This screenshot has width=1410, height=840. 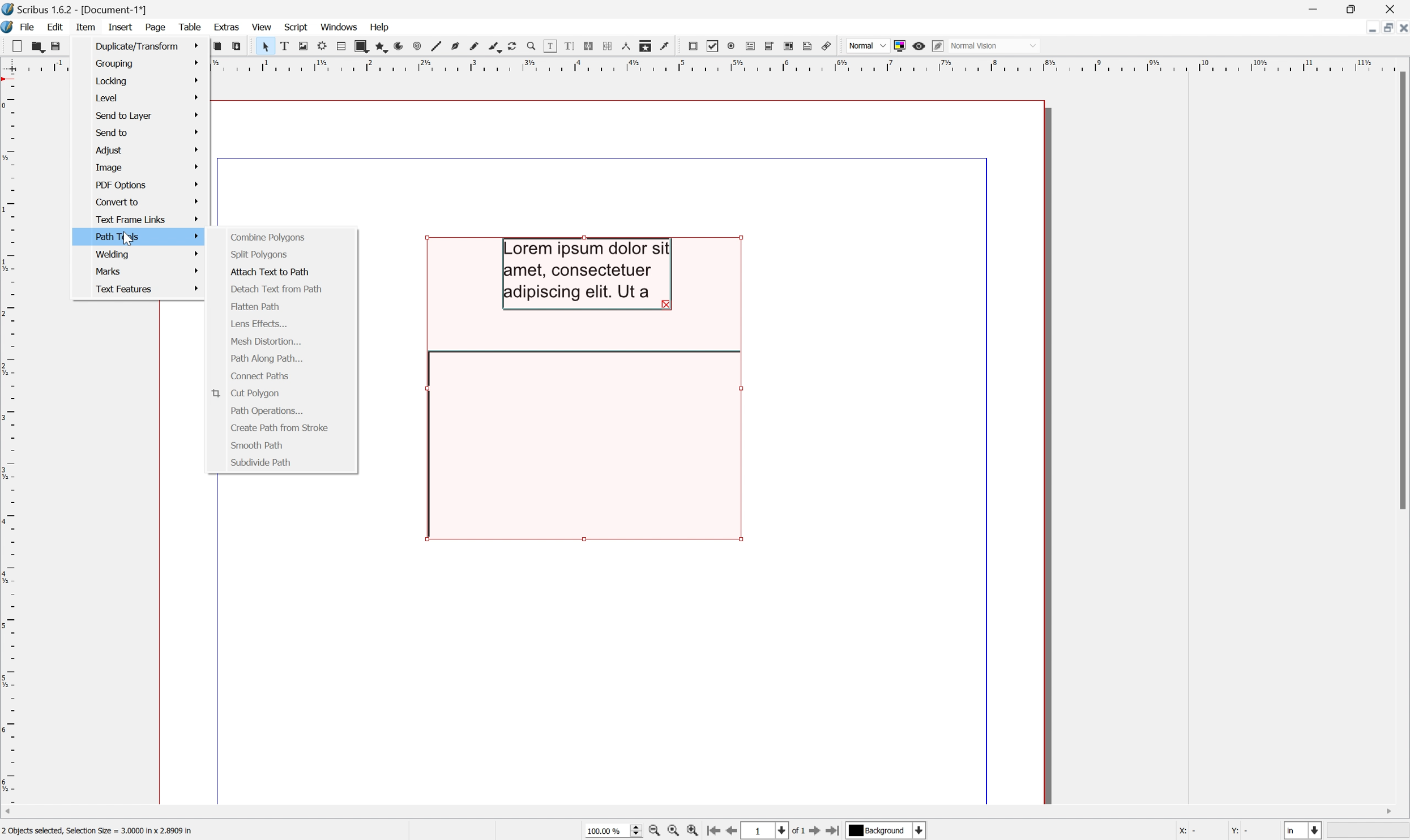 What do you see at coordinates (263, 27) in the screenshot?
I see `View` at bounding box center [263, 27].